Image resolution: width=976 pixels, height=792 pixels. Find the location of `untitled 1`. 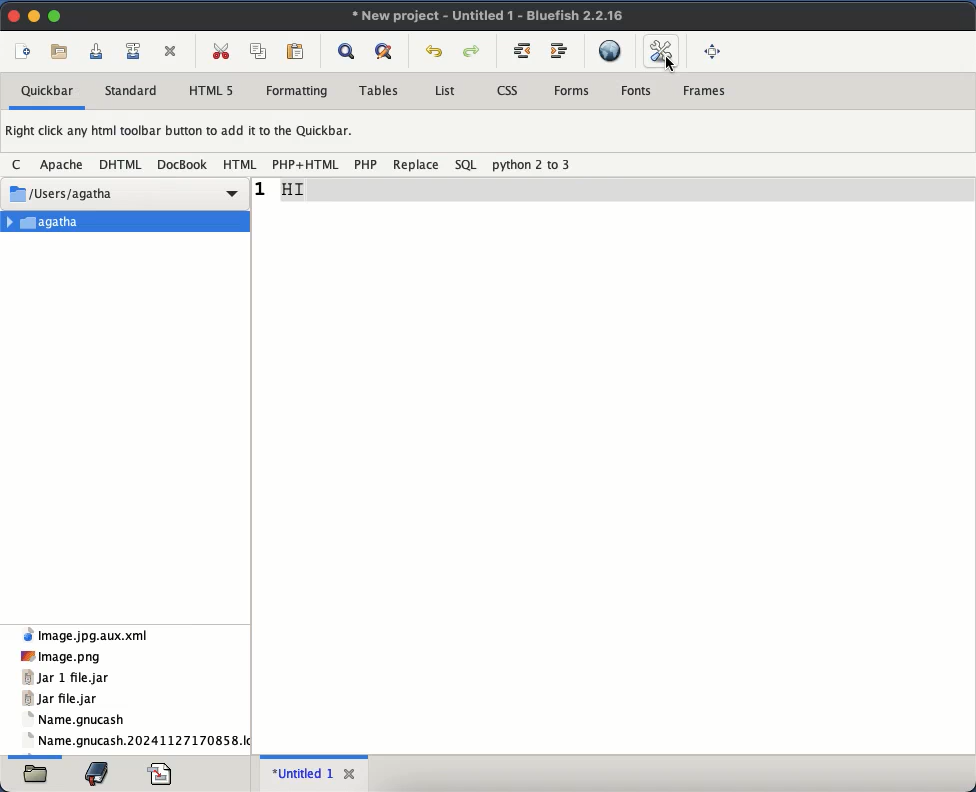

untitled 1 is located at coordinates (301, 773).